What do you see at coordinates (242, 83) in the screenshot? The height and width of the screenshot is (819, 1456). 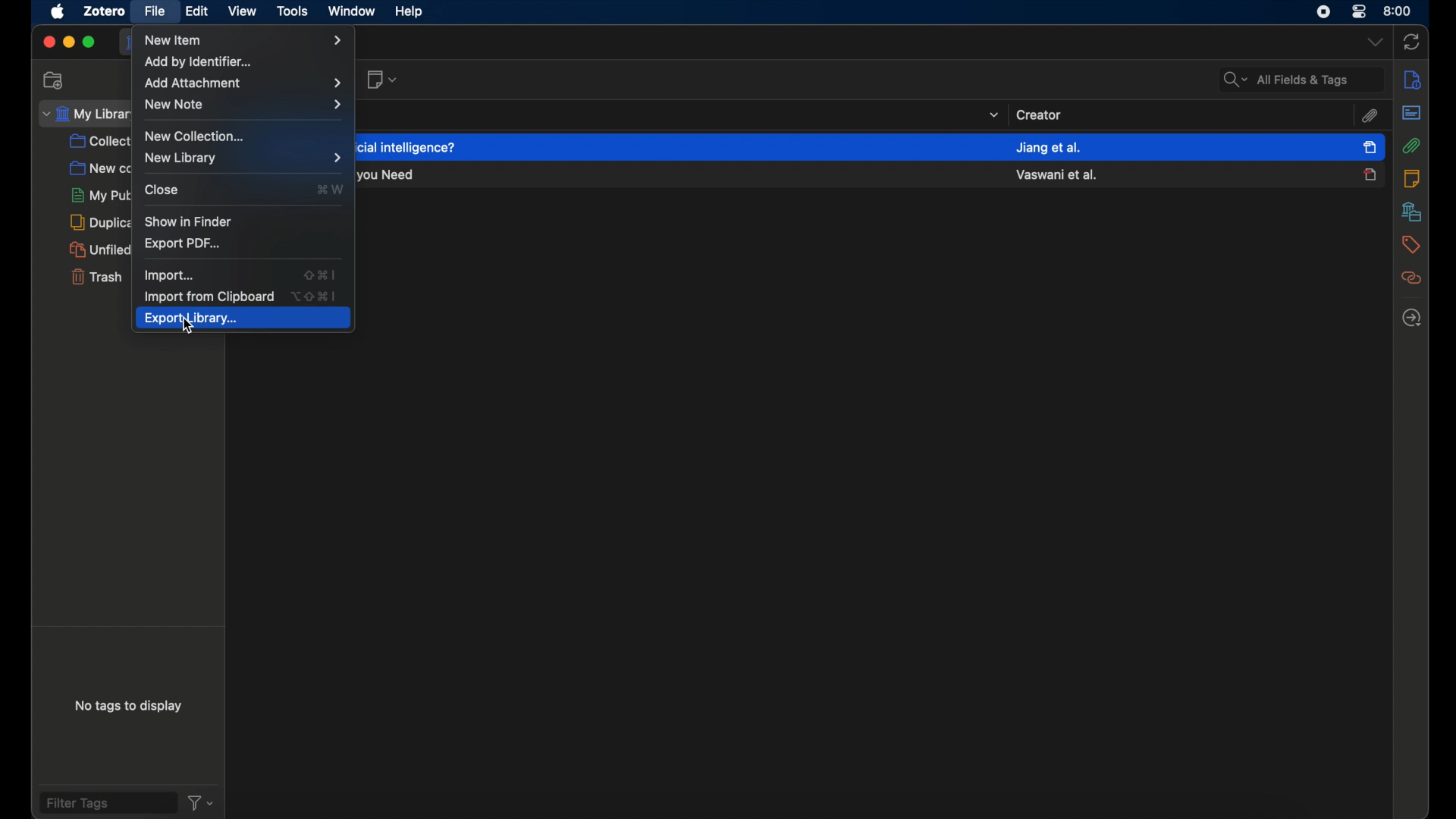 I see `add attachment menu` at bounding box center [242, 83].